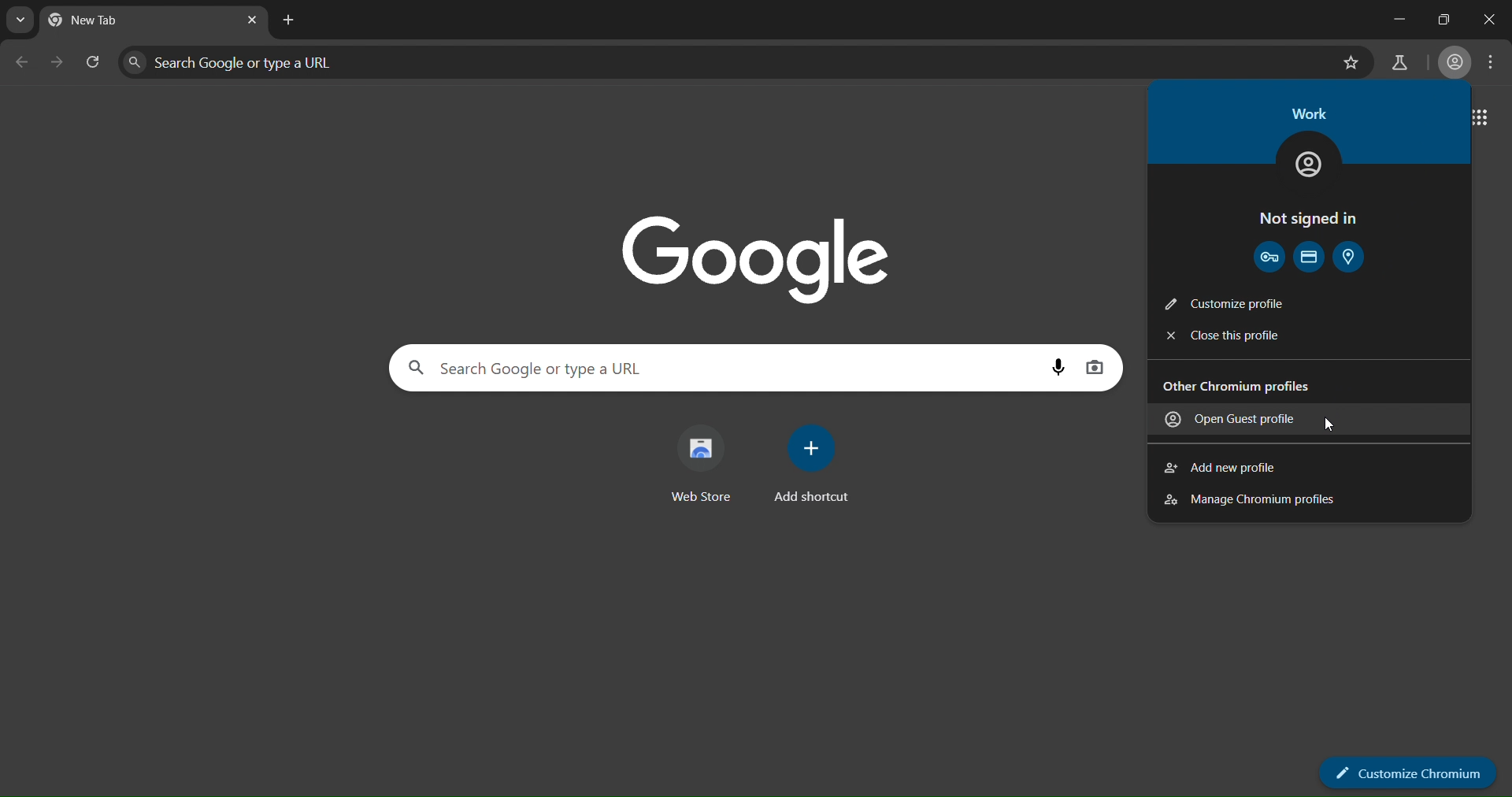  What do you see at coordinates (20, 20) in the screenshot?
I see `search tabs` at bounding box center [20, 20].